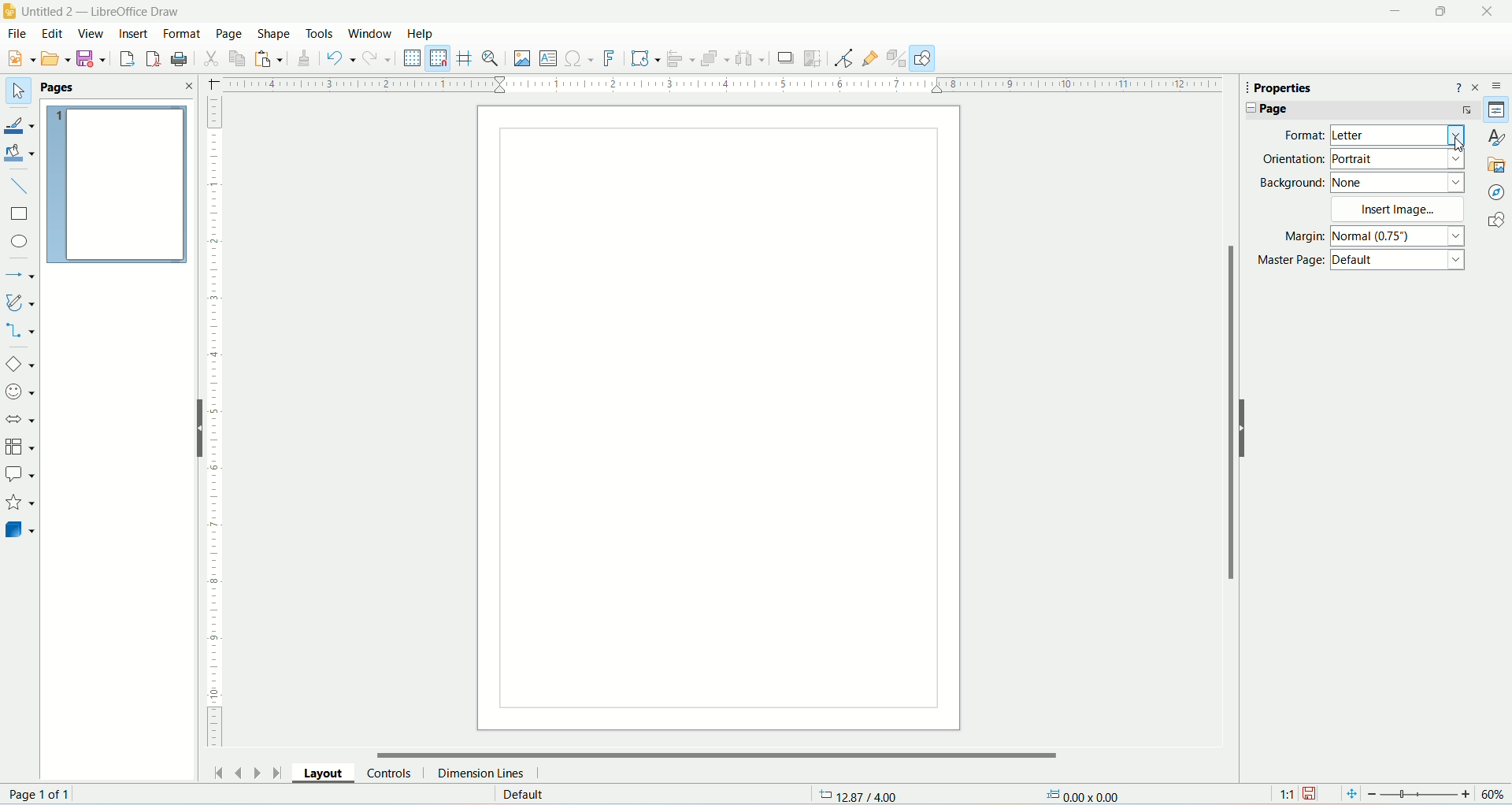  I want to click on redo, so click(379, 58).